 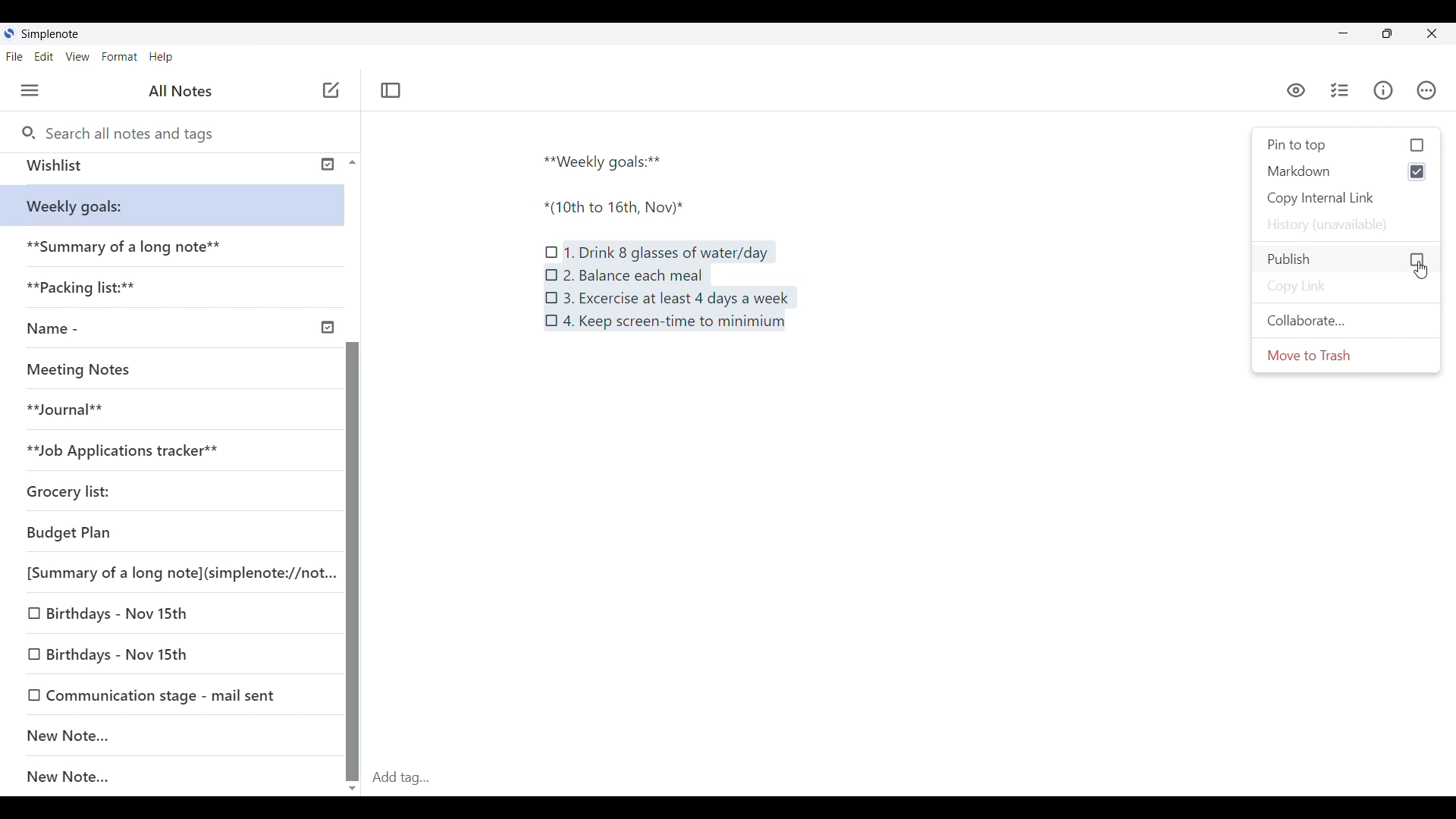 I want to click on Meeting Notes, so click(x=85, y=367).